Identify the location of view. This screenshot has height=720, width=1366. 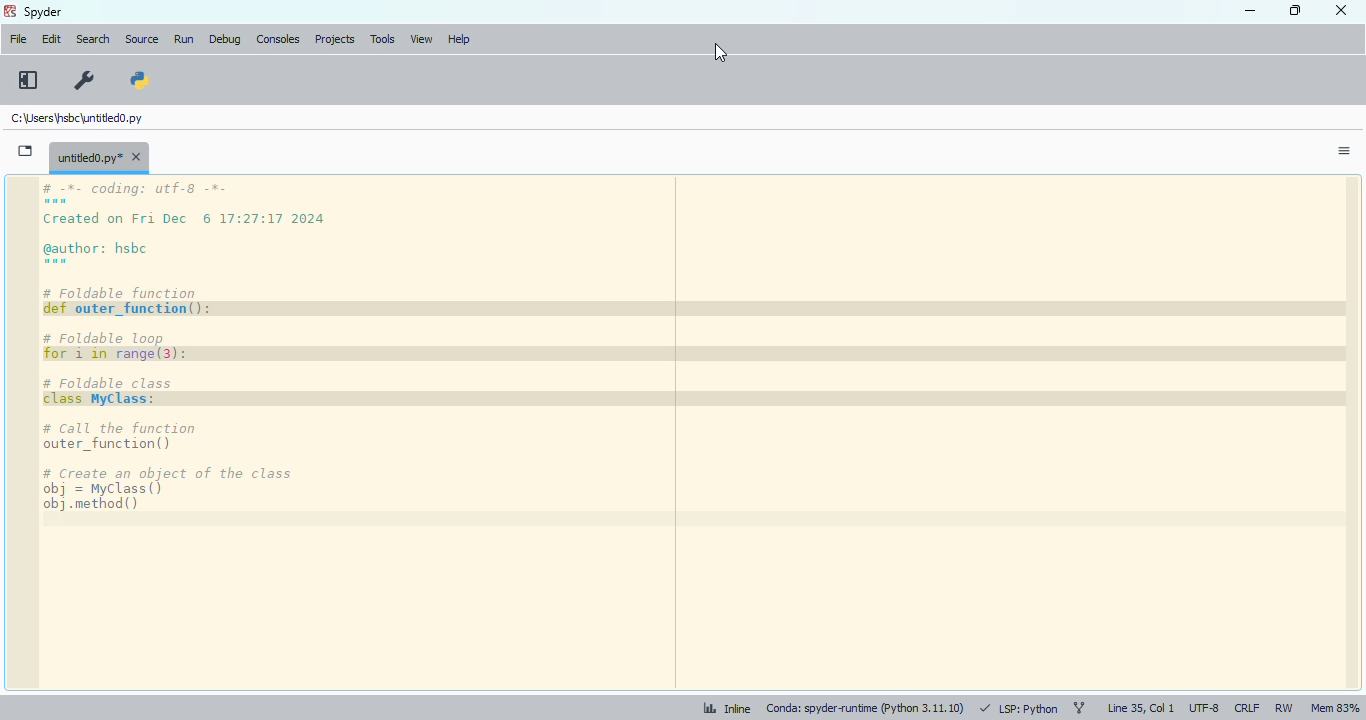
(421, 39).